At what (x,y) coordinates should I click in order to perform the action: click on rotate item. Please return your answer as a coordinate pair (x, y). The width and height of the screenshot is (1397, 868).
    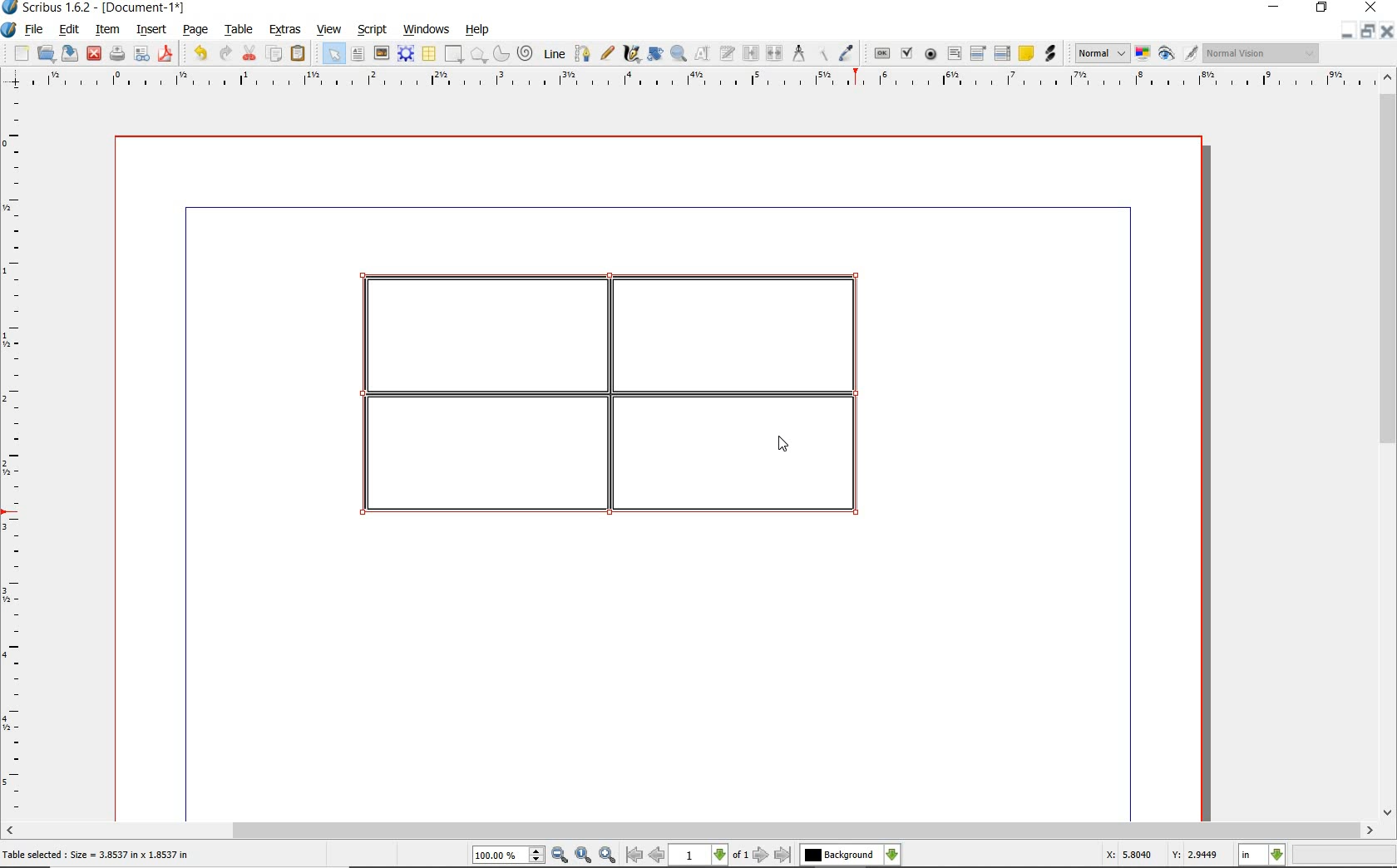
    Looking at the image, I should click on (654, 55).